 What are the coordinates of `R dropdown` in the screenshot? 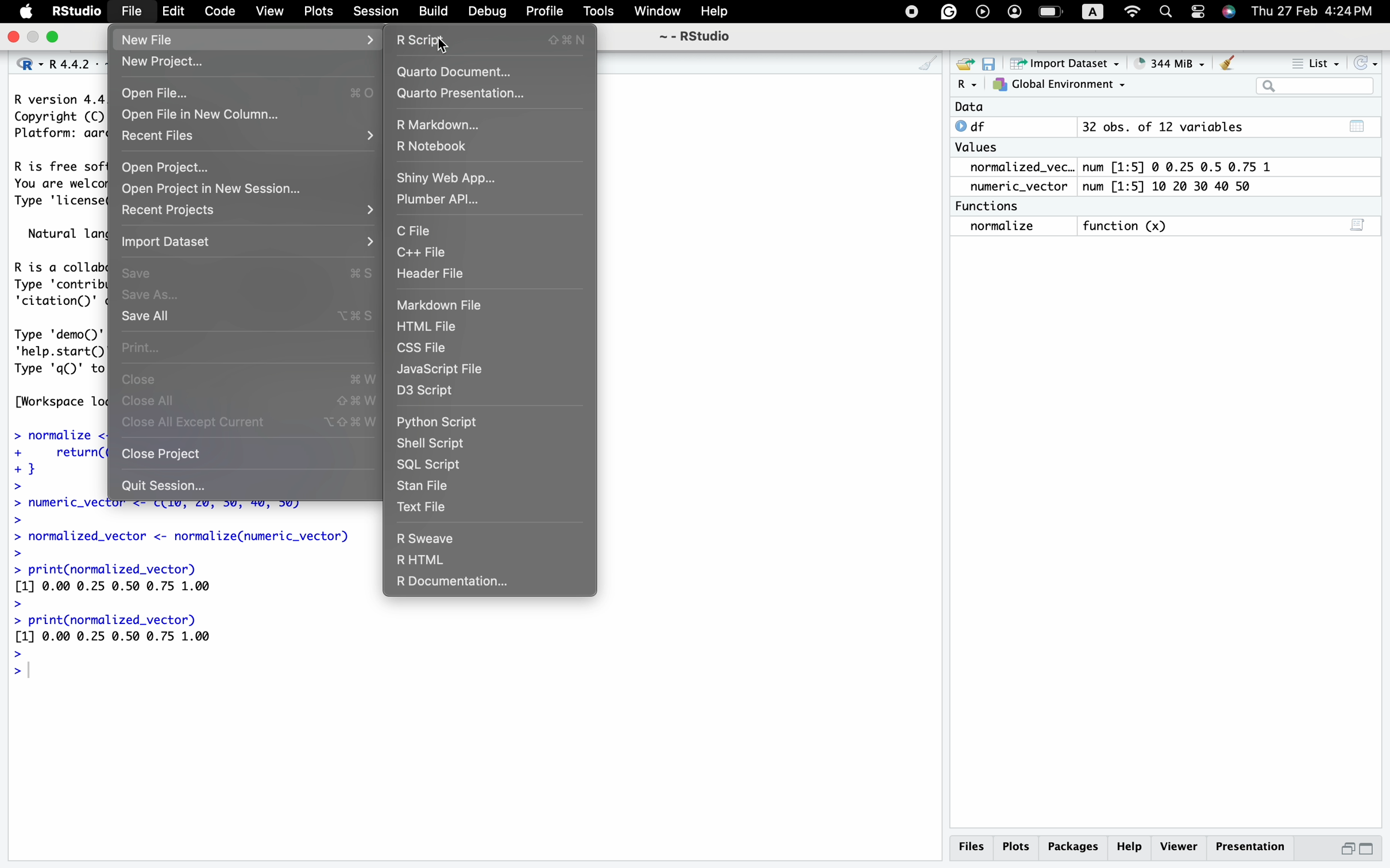 It's located at (970, 85).